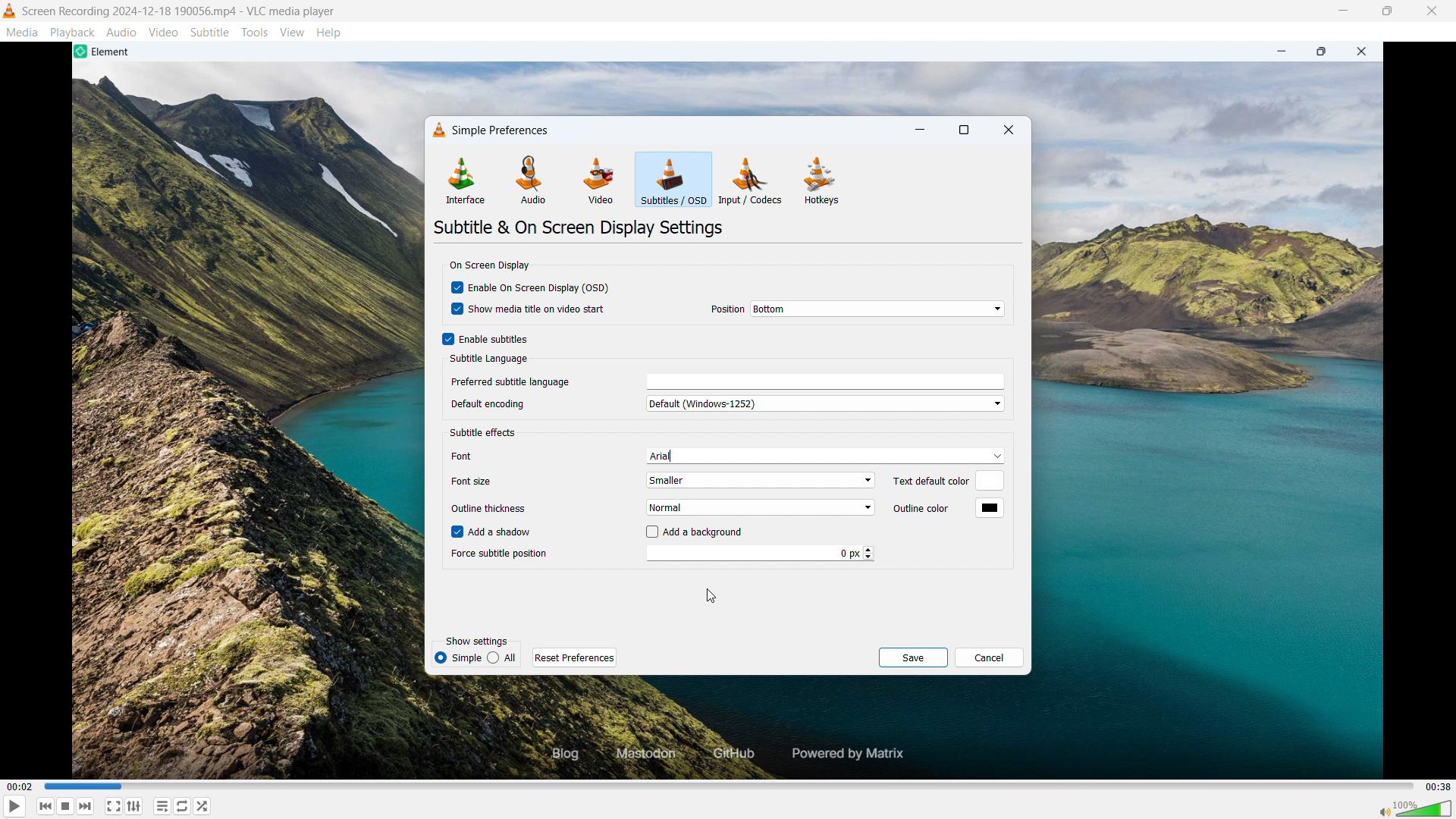 This screenshot has height=819, width=1456. I want to click on set font, so click(823, 456).